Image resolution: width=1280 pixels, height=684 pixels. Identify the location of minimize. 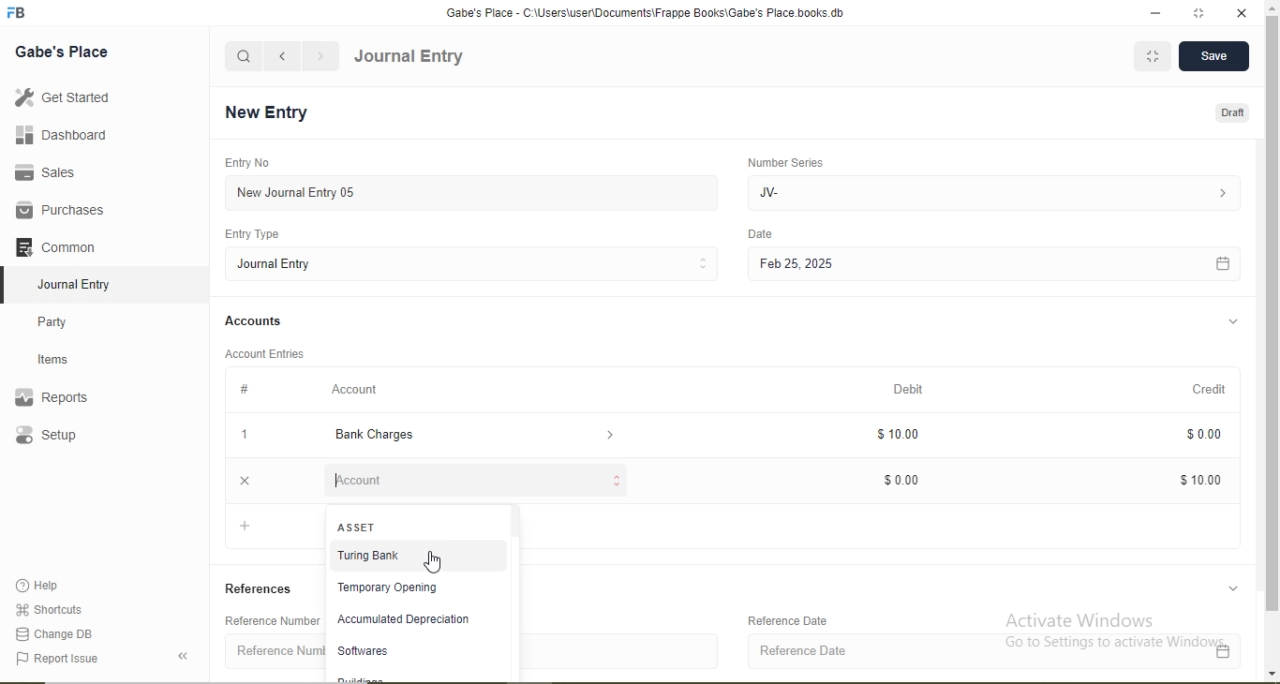
(1158, 13).